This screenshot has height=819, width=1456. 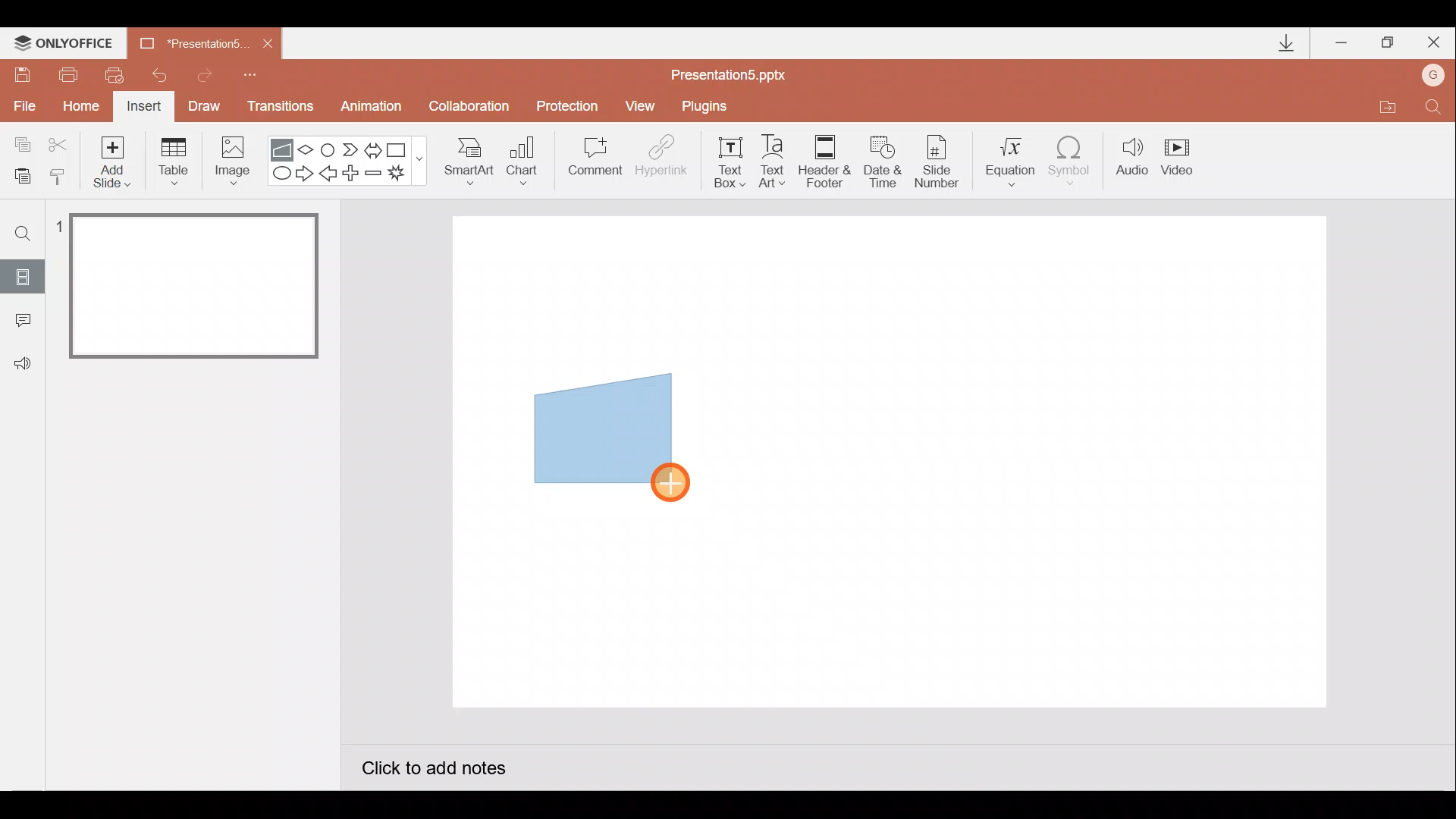 I want to click on Date & time, so click(x=881, y=158).